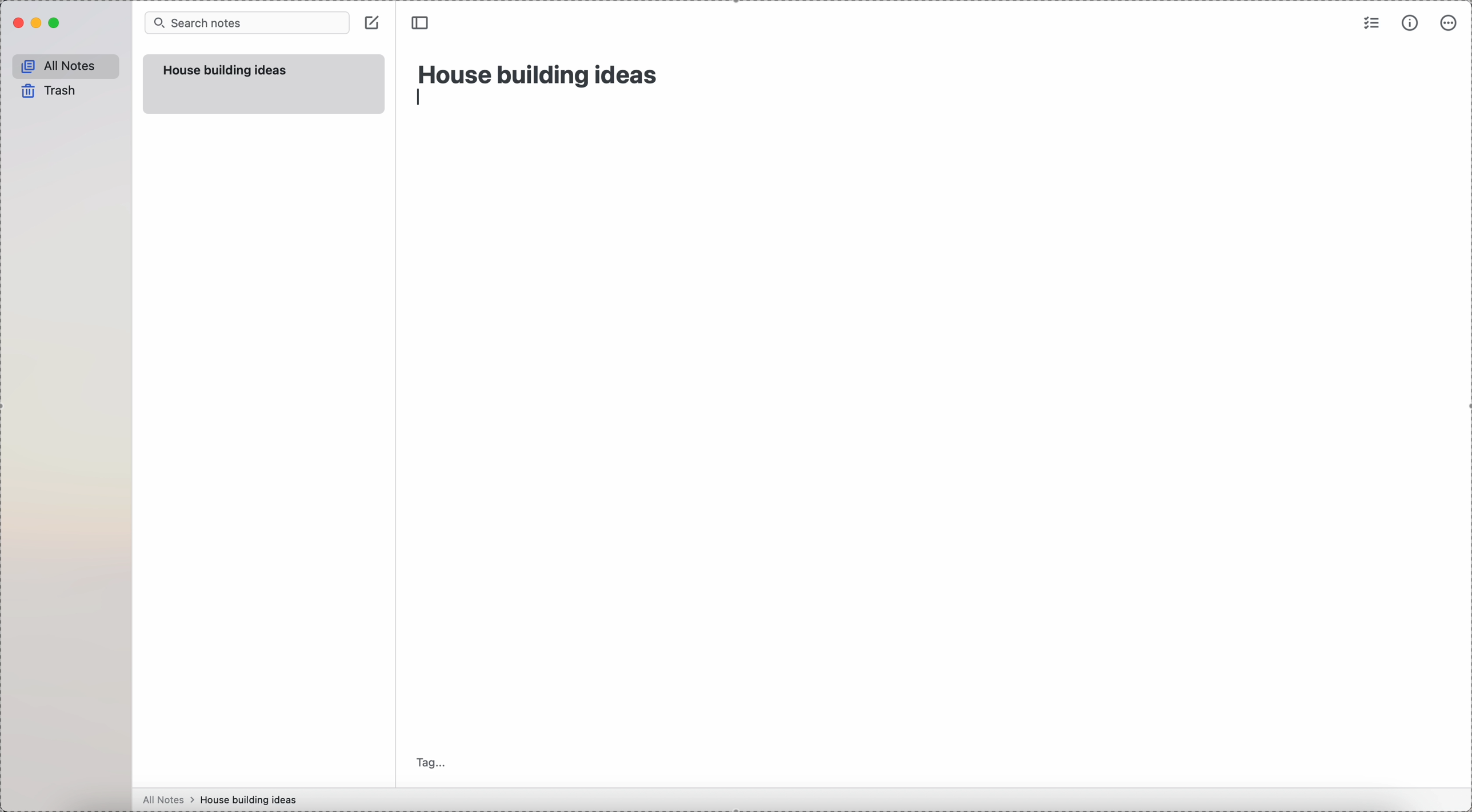  What do you see at coordinates (38, 25) in the screenshot?
I see `minimize Simplenote` at bounding box center [38, 25].